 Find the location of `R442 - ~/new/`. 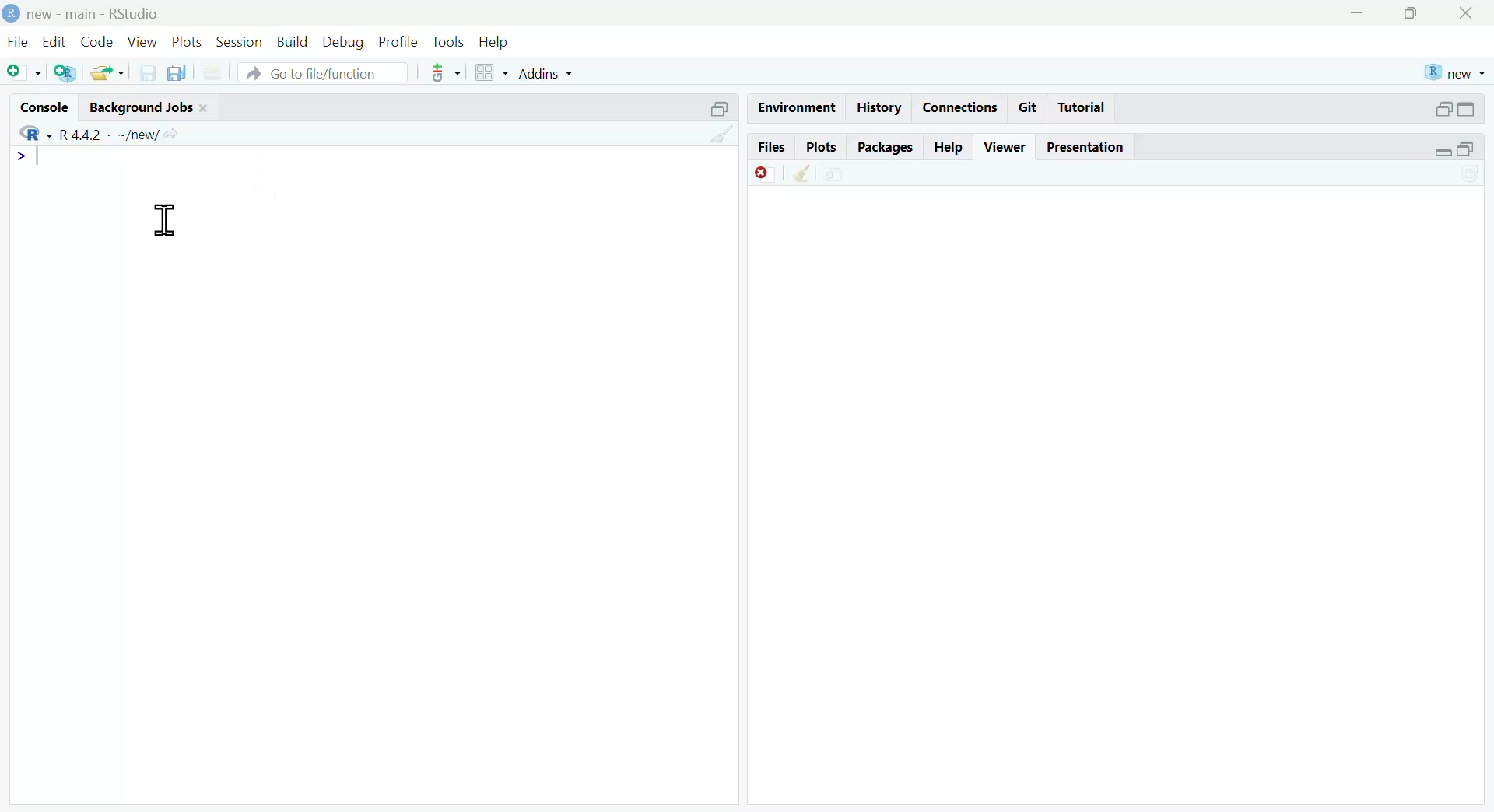

R442 - ~/new/ is located at coordinates (124, 136).